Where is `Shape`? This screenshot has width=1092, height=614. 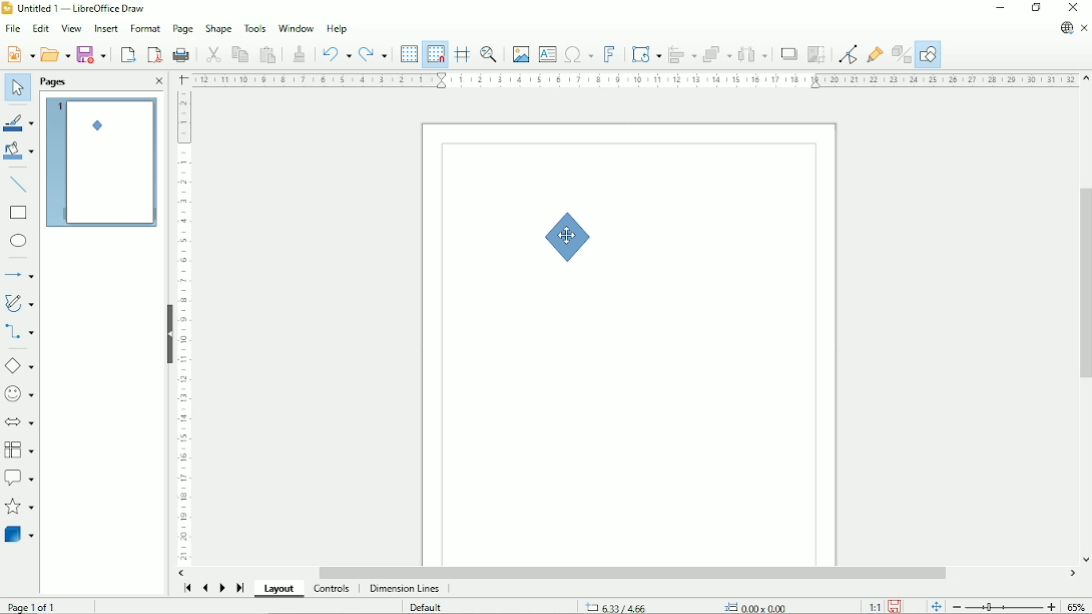 Shape is located at coordinates (218, 28).